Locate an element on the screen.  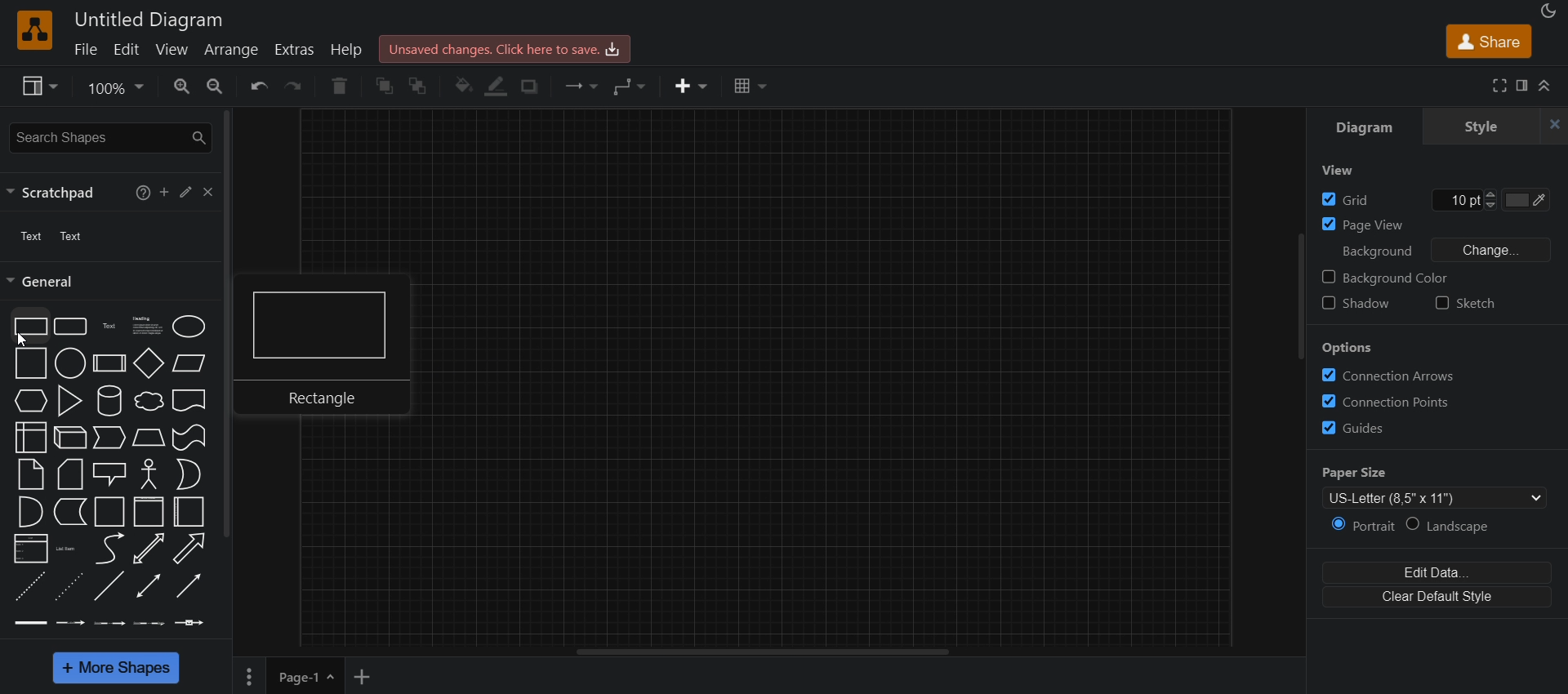
arrange is located at coordinates (231, 51).